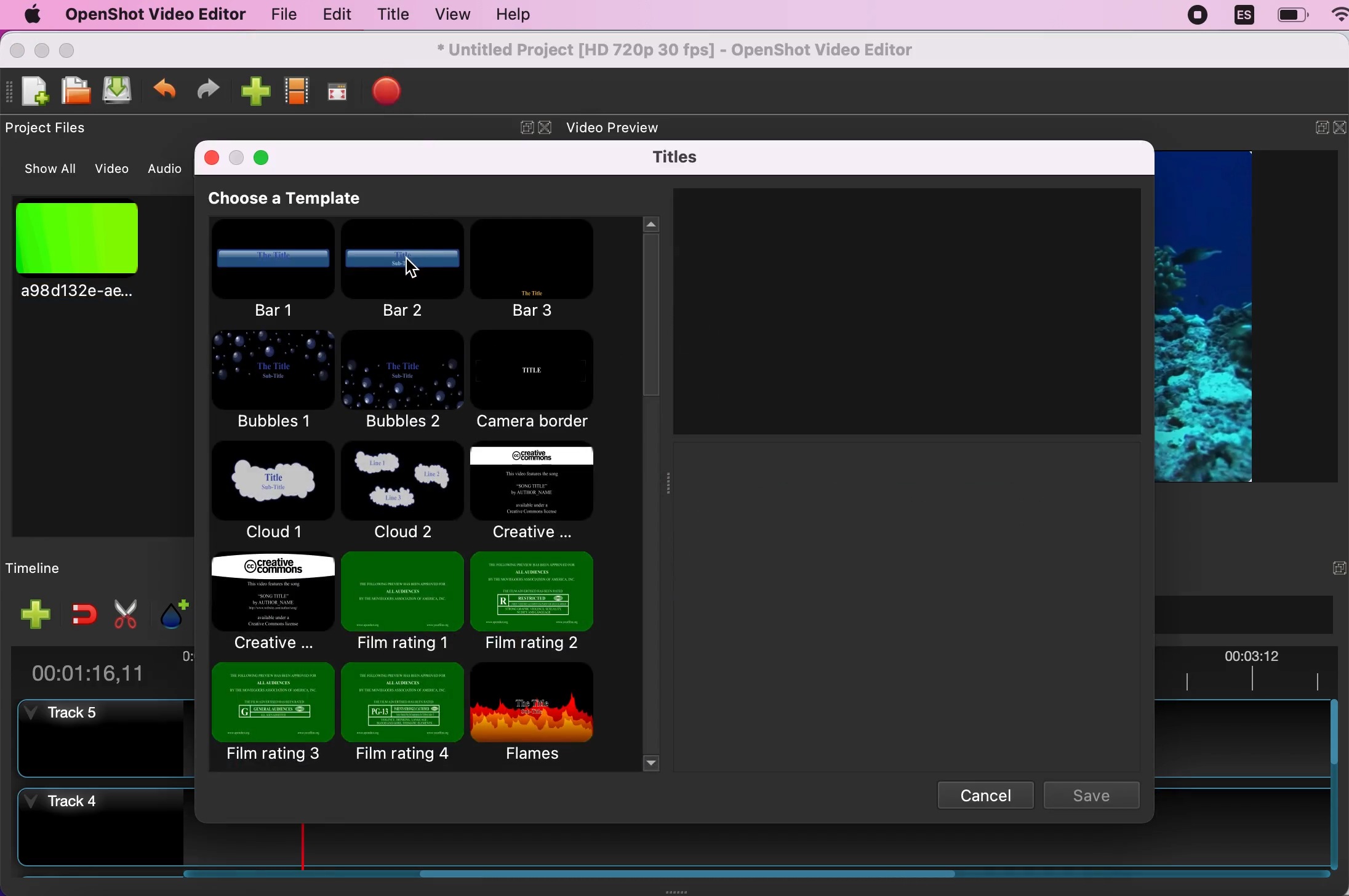 Image resolution: width=1349 pixels, height=896 pixels. Describe the element at coordinates (396, 94) in the screenshot. I see `export file` at that location.